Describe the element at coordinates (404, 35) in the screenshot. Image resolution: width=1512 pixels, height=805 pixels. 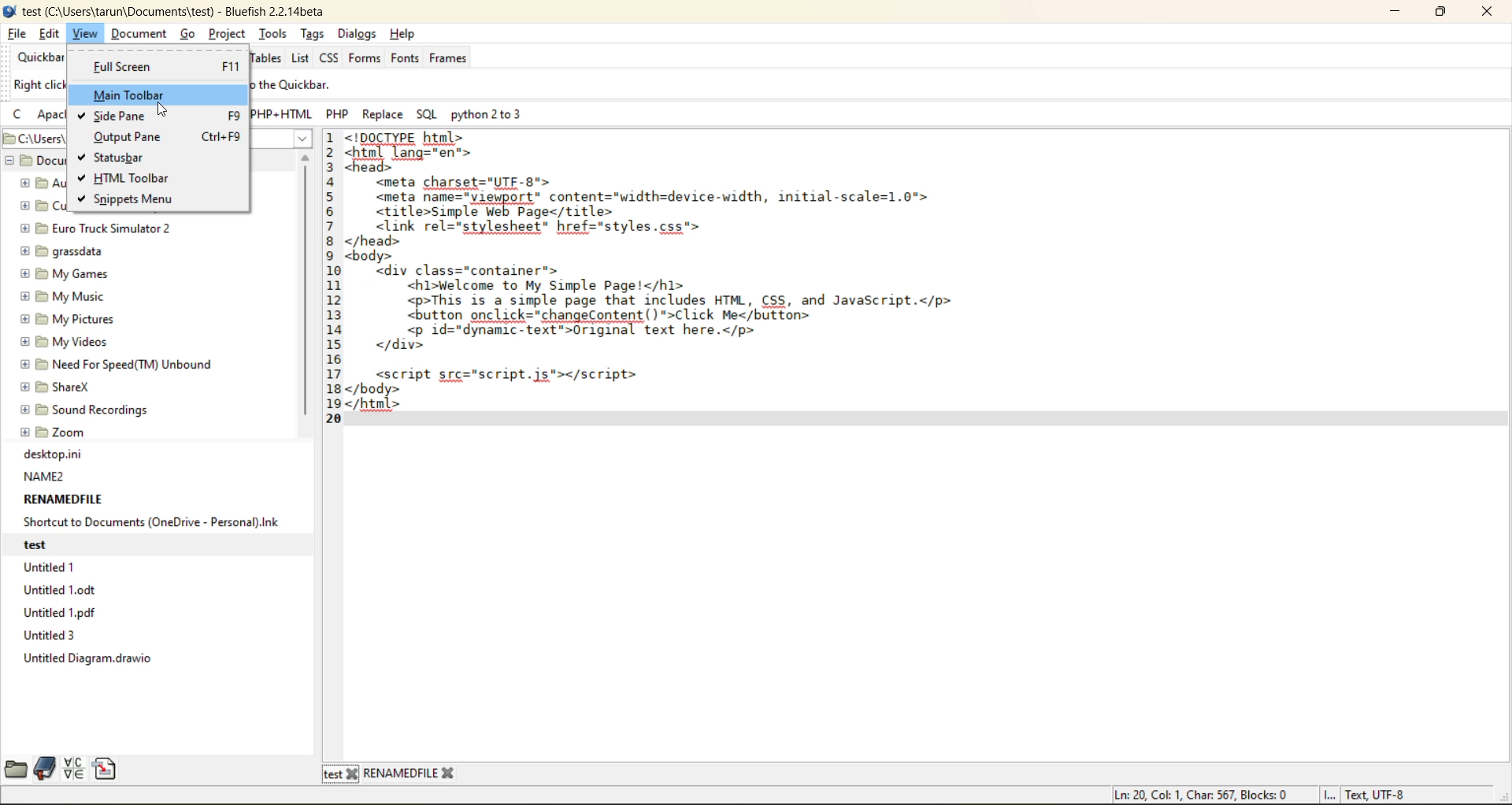
I see `help` at that location.